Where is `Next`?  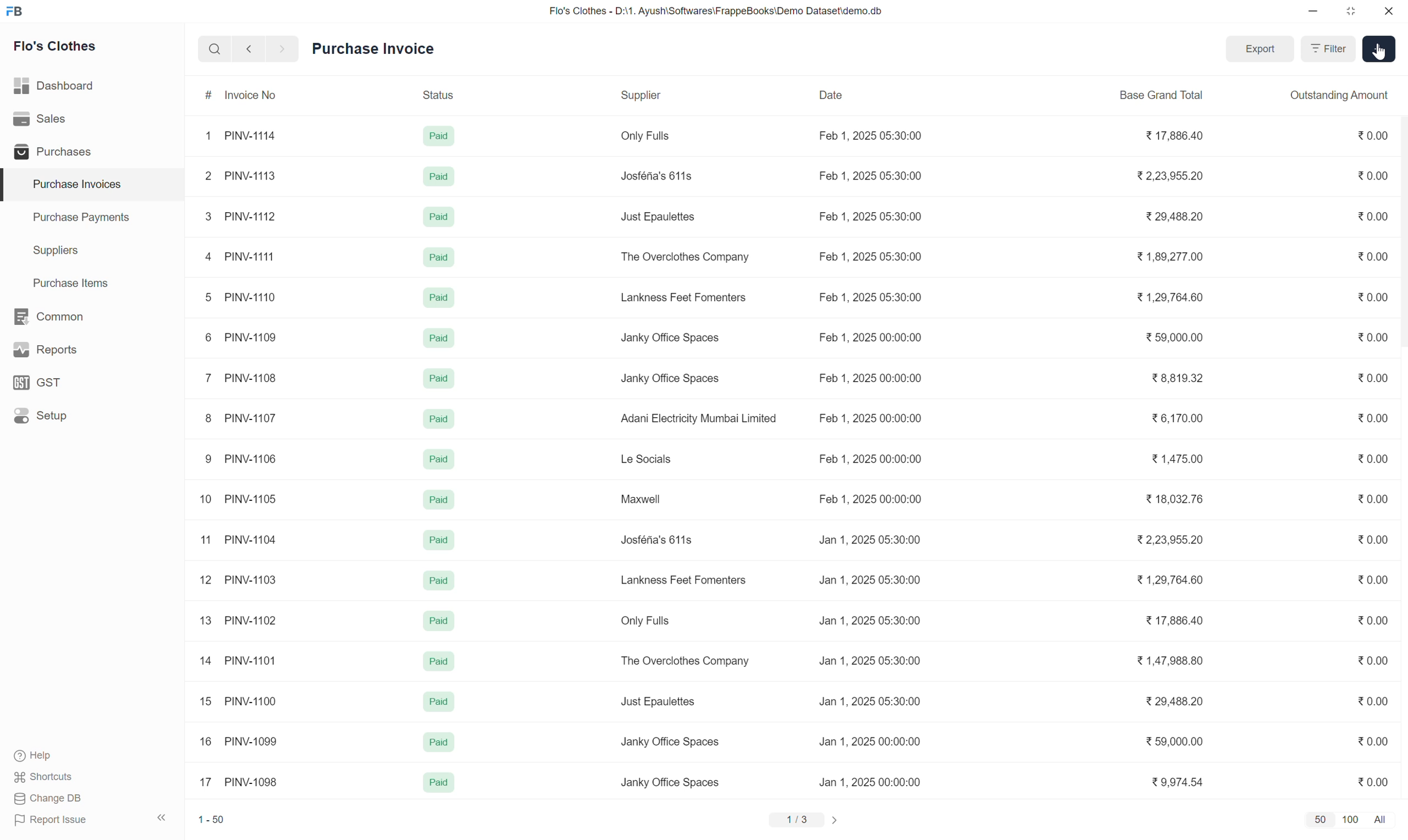
Next is located at coordinates (283, 49).